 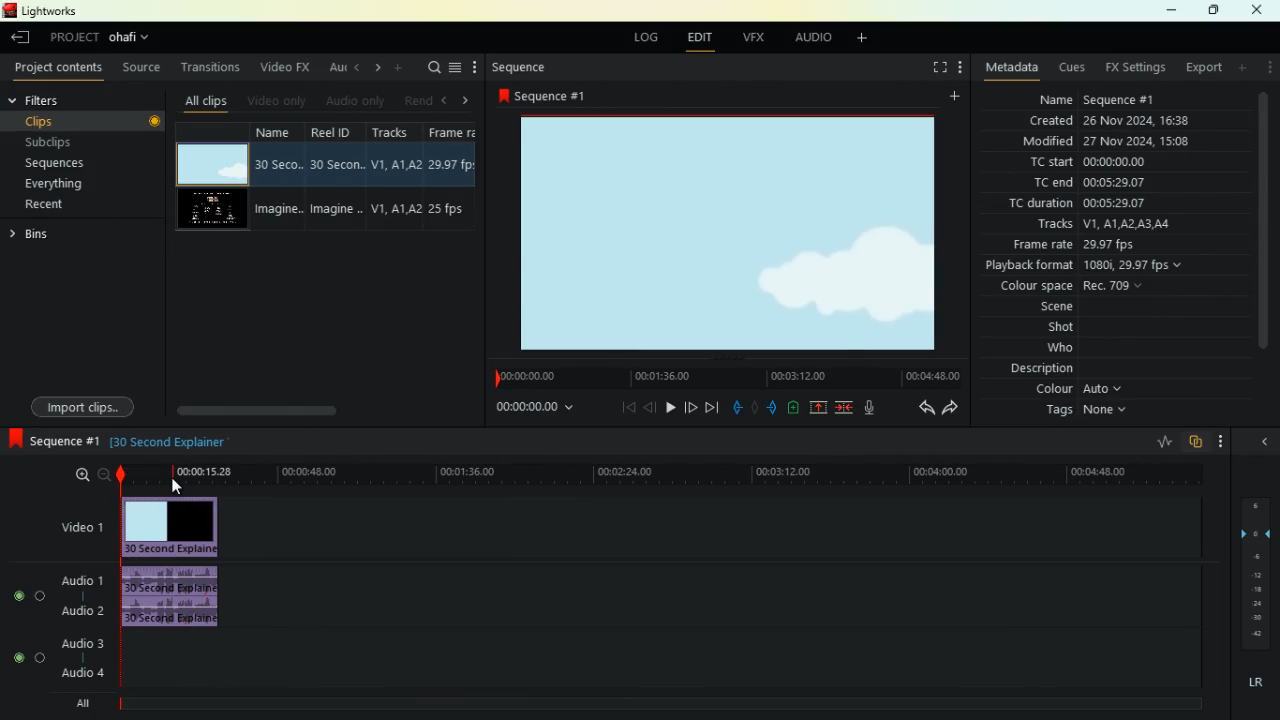 What do you see at coordinates (1051, 183) in the screenshot?
I see `tc end` at bounding box center [1051, 183].